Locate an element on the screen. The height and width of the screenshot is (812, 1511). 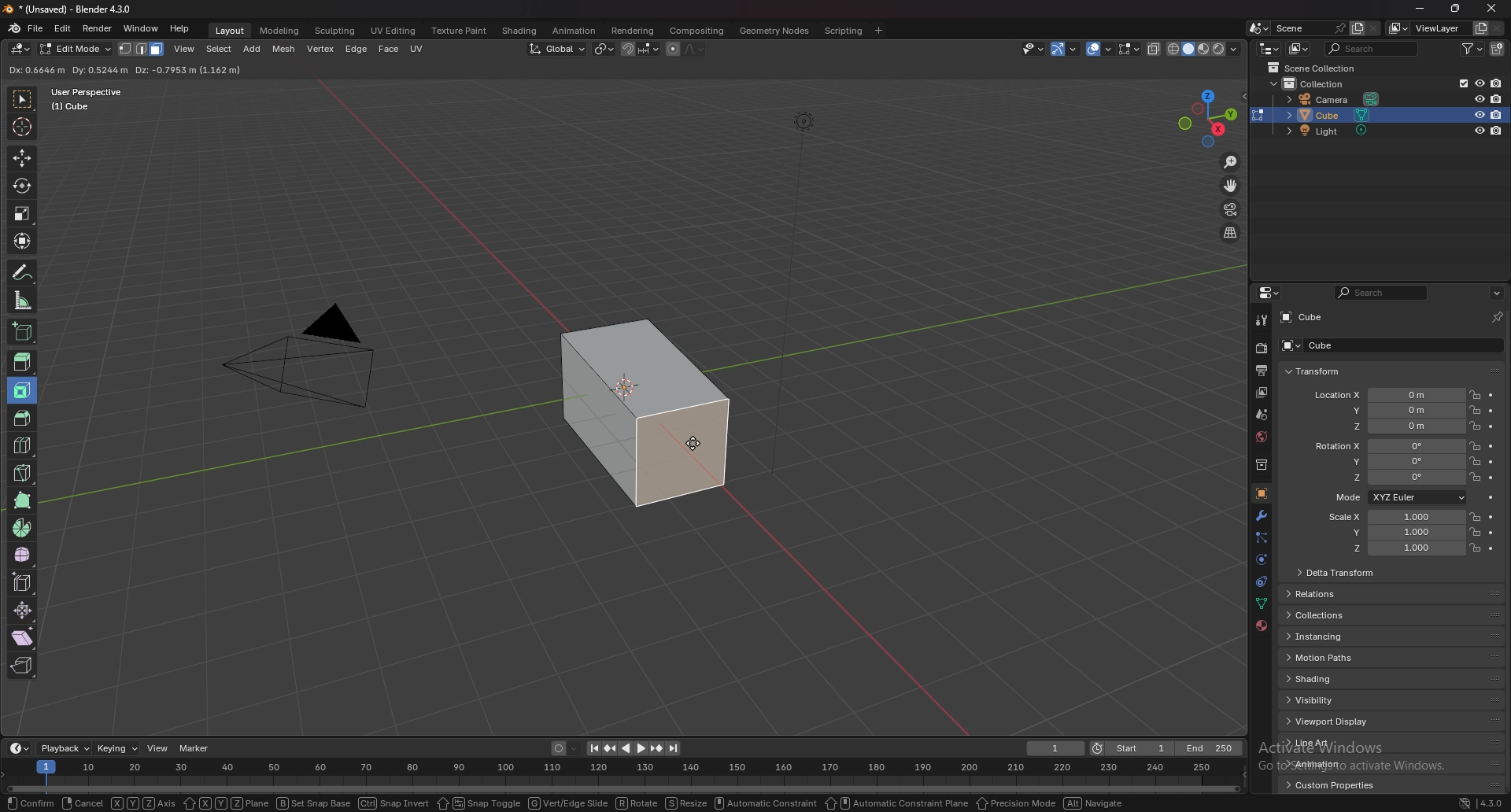
precision mode is located at coordinates (1016, 803).